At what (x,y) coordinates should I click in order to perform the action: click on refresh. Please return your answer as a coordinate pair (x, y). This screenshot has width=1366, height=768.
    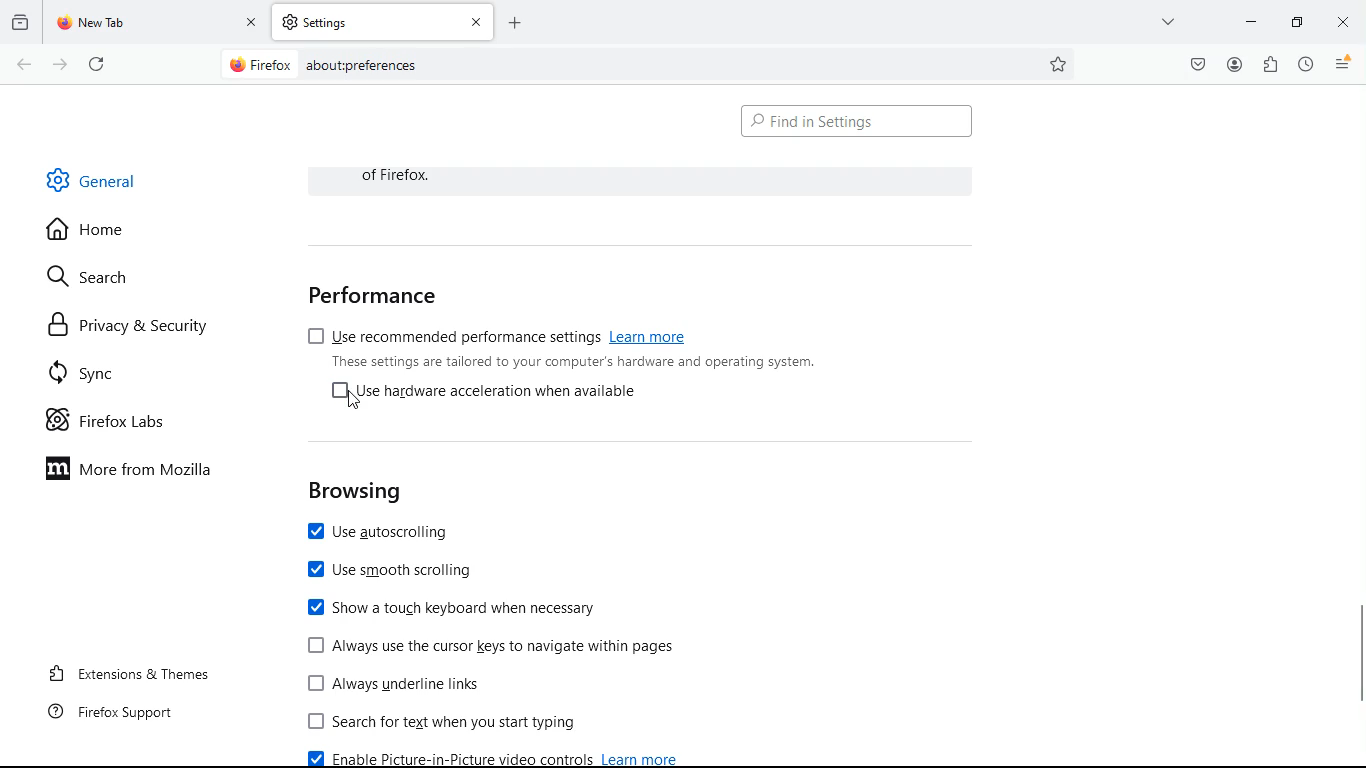
    Looking at the image, I should click on (97, 63).